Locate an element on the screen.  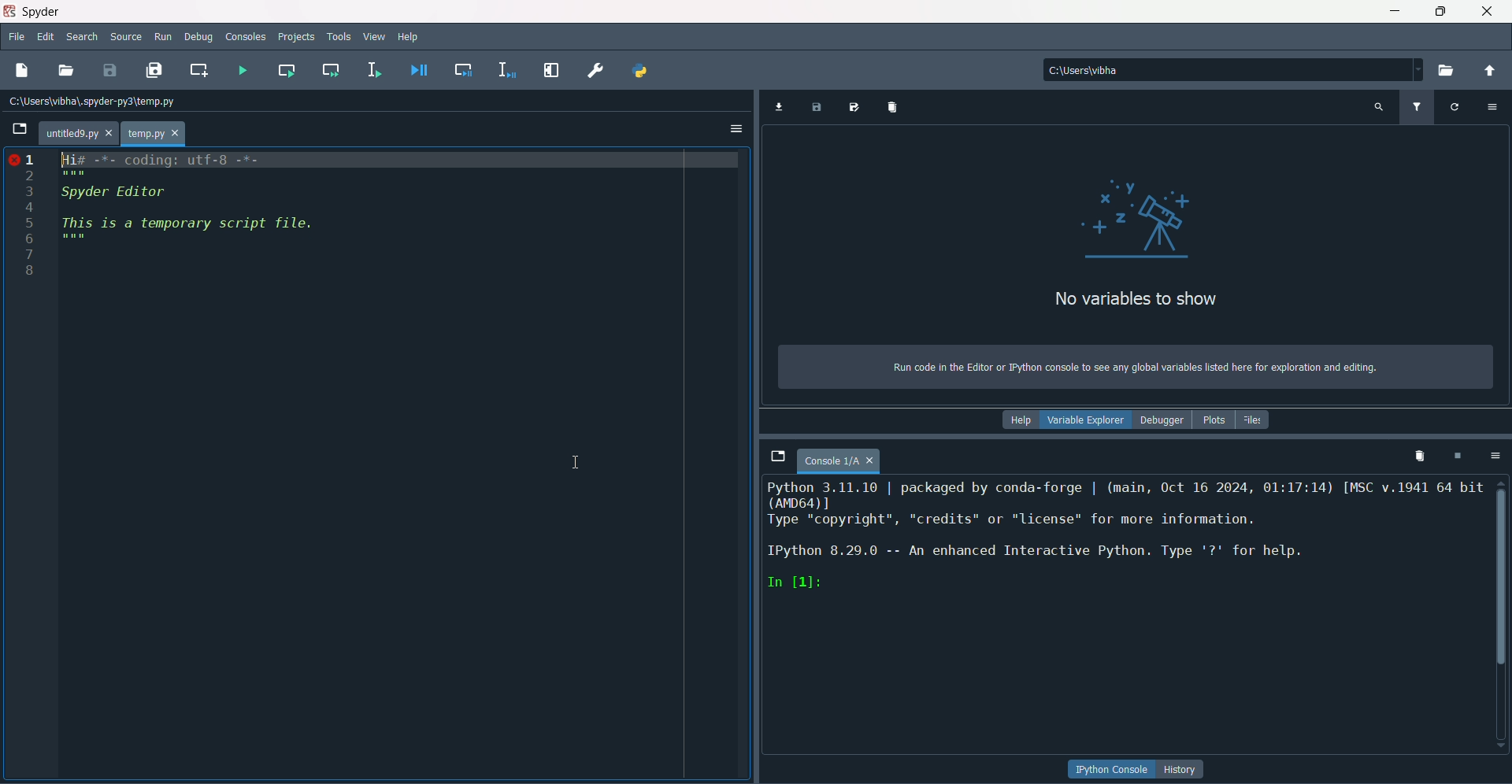
graphics is located at coordinates (1136, 217).